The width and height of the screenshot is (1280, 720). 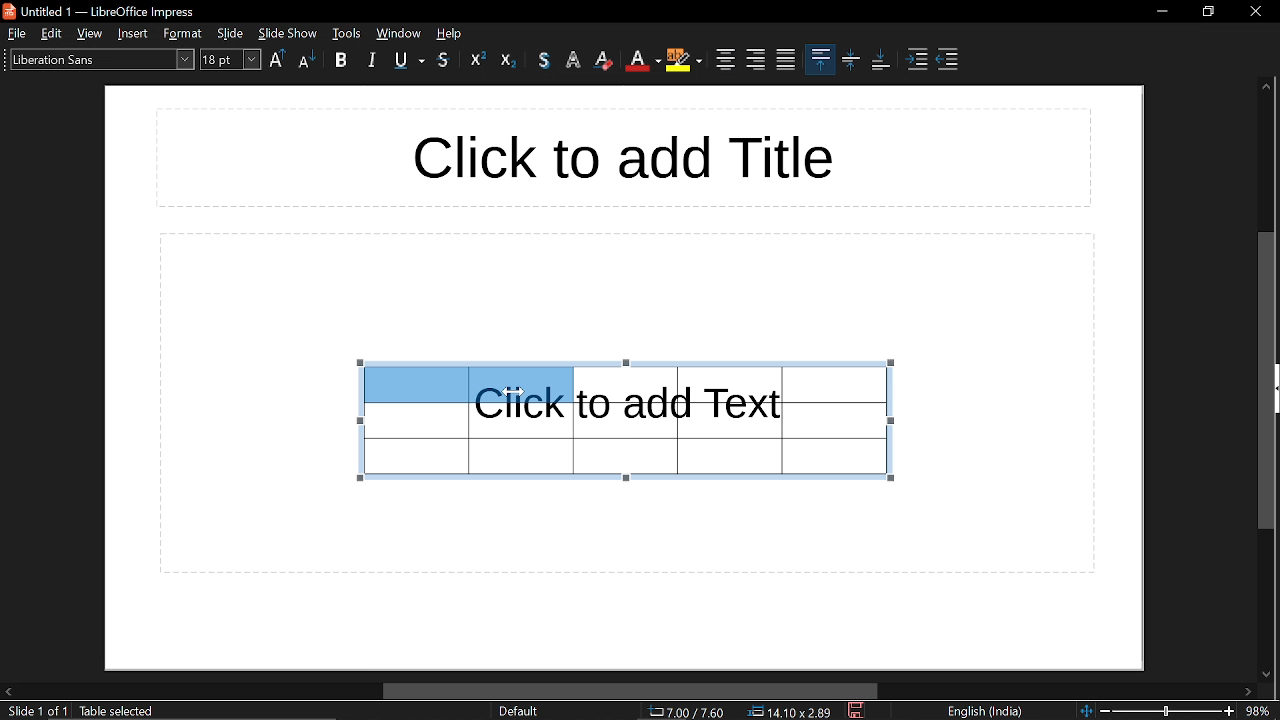 What do you see at coordinates (410, 62) in the screenshot?
I see `underline` at bounding box center [410, 62].